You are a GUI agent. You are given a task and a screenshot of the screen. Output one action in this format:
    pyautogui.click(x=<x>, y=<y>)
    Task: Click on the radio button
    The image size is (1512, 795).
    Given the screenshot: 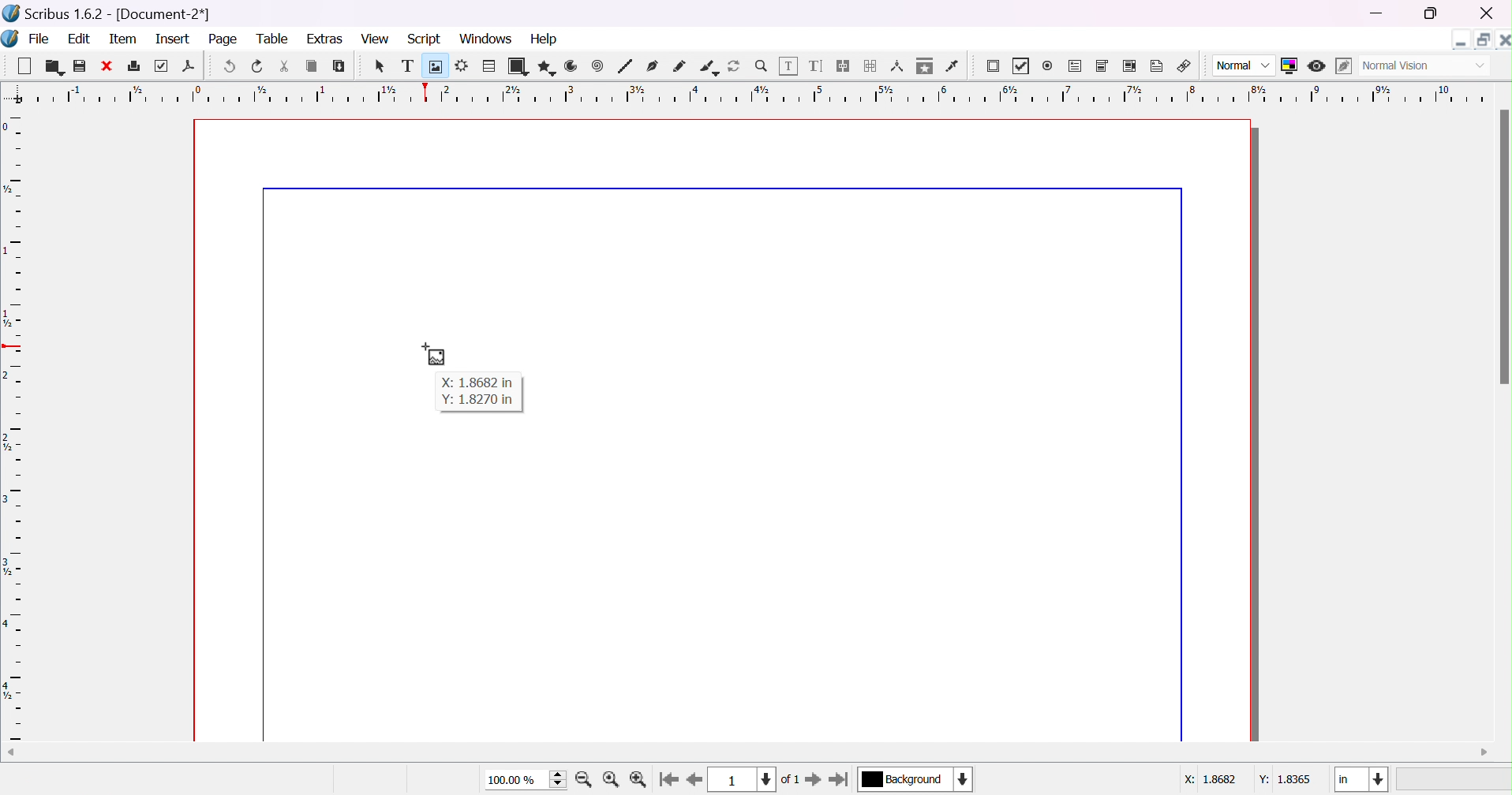 What is the action you would take?
    pyautogui.click(x=1049, y=66)
    